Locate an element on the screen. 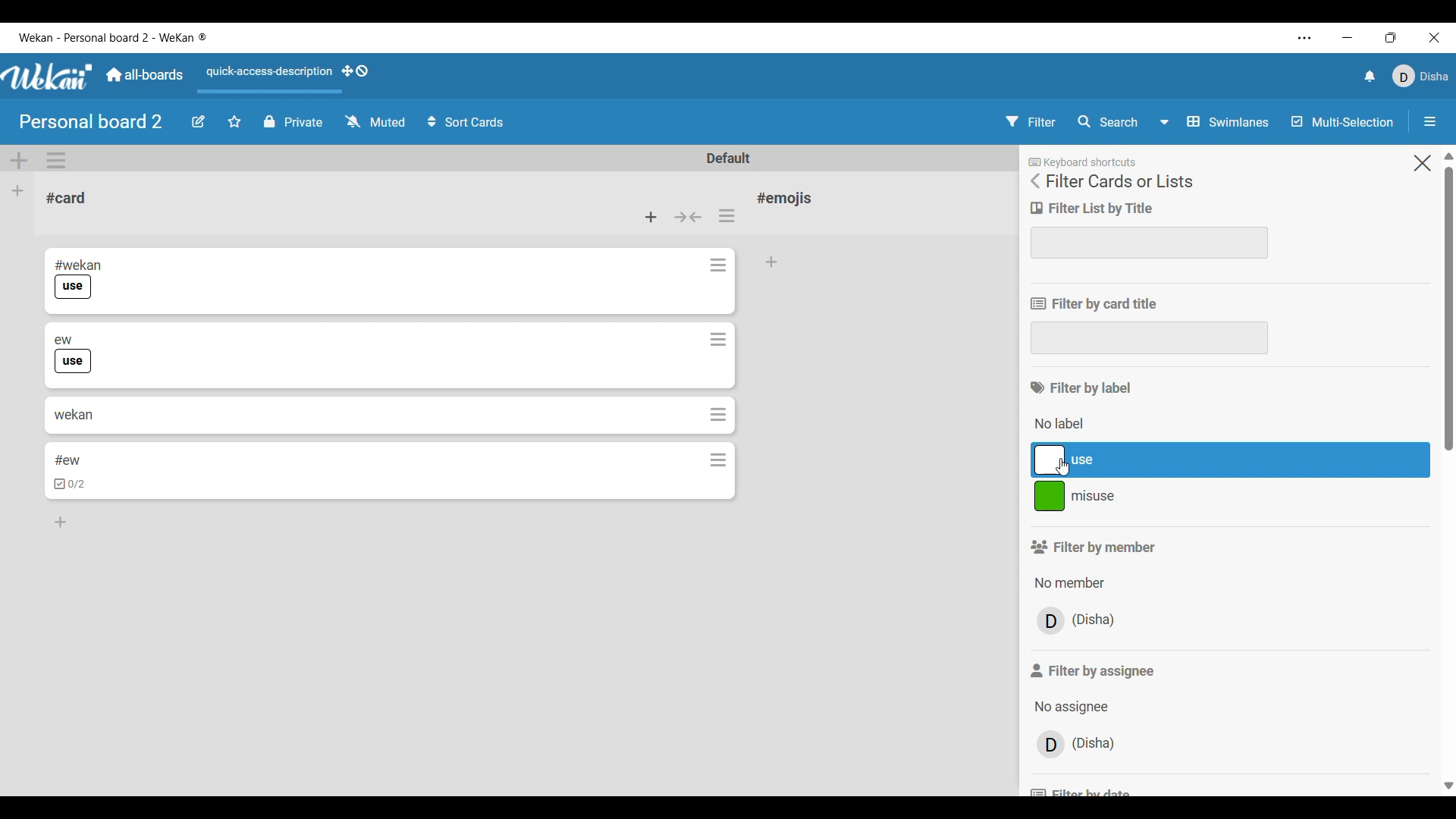  #wekan is located at coordinates (79, 264).